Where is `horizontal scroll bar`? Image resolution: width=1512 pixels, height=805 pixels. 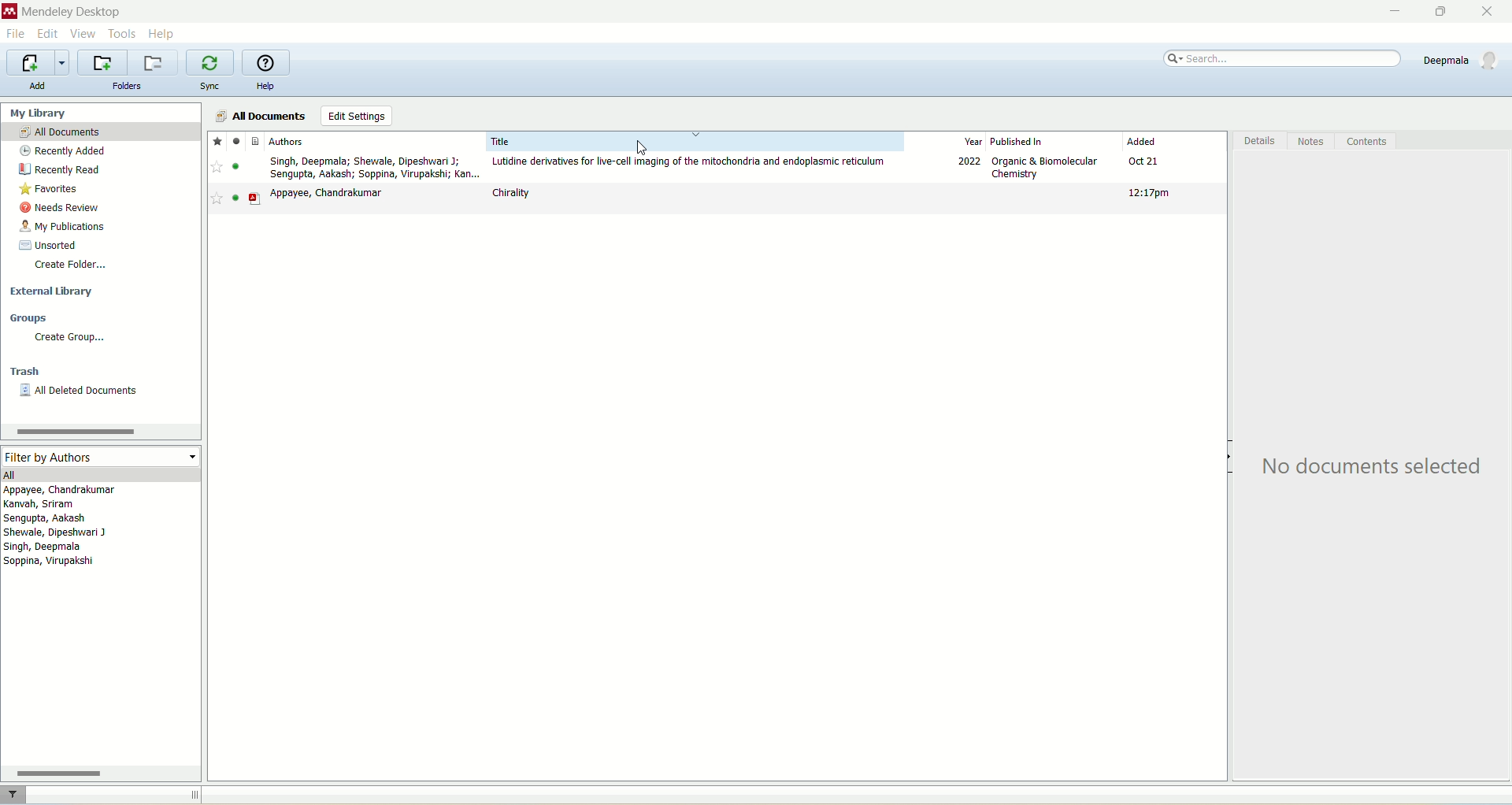 horizontal scroll bar is located at coordinates (101, 429).